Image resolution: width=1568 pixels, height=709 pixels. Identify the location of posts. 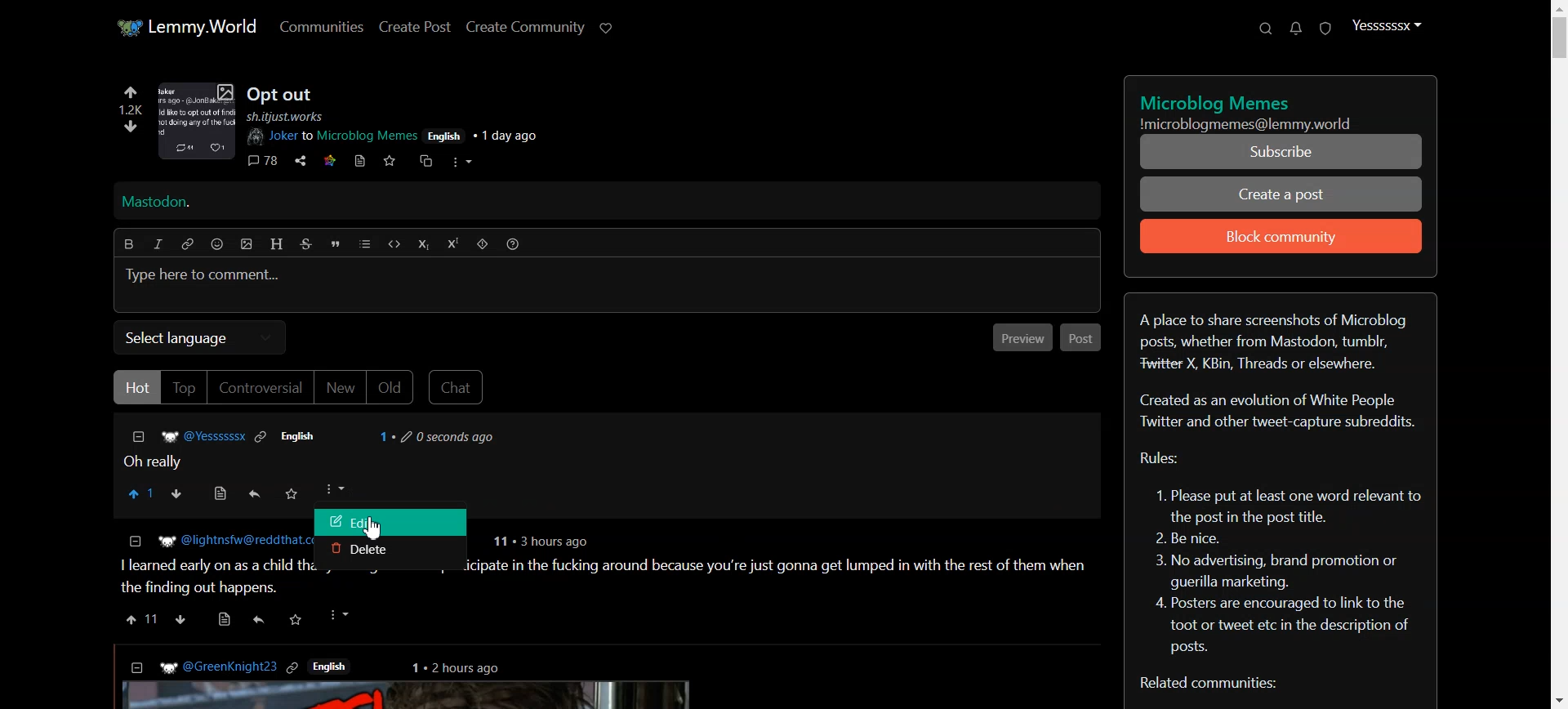
(597, 677).